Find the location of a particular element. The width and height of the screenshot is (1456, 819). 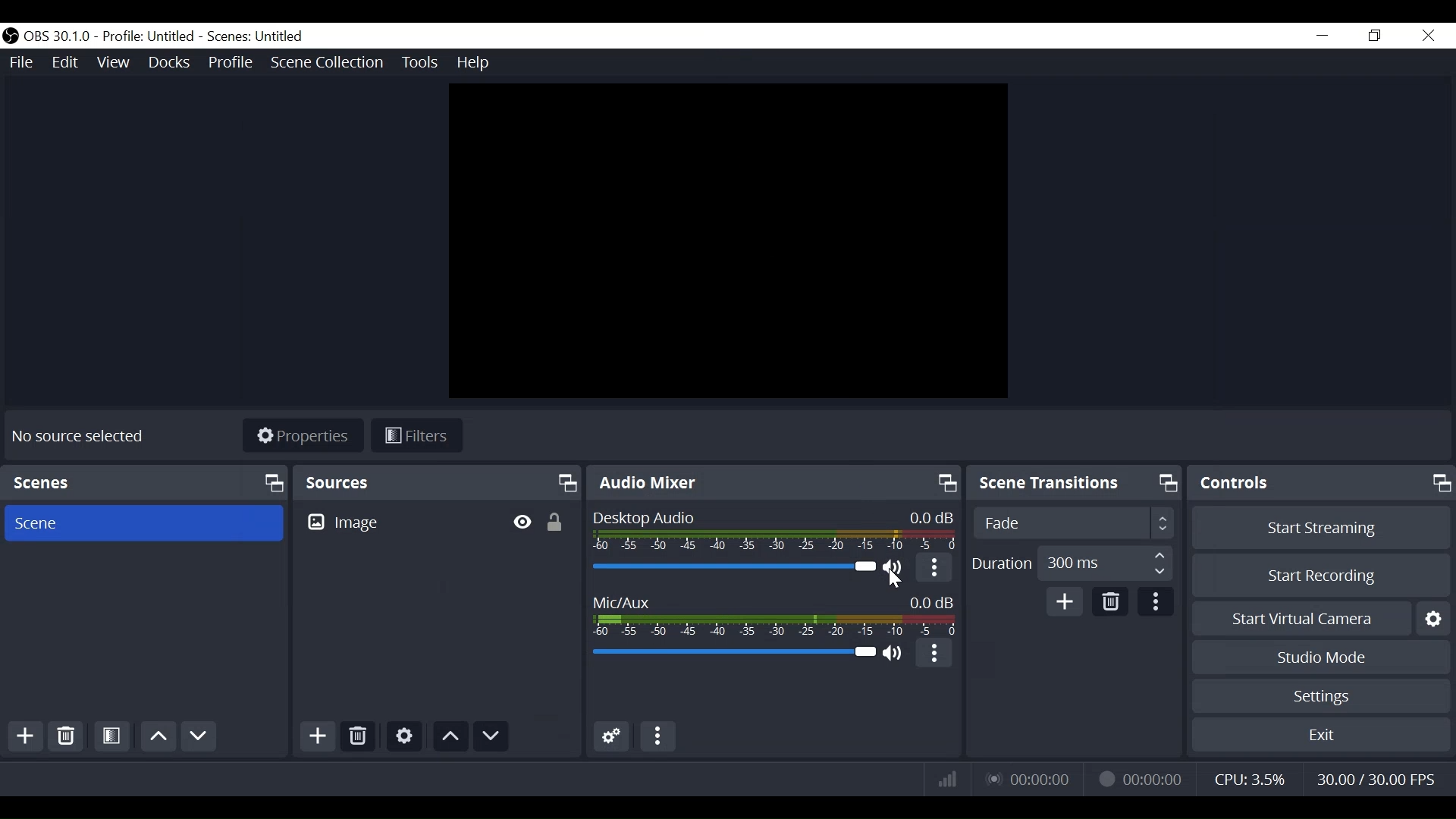

Move Down is located at coordinates (198, 736).